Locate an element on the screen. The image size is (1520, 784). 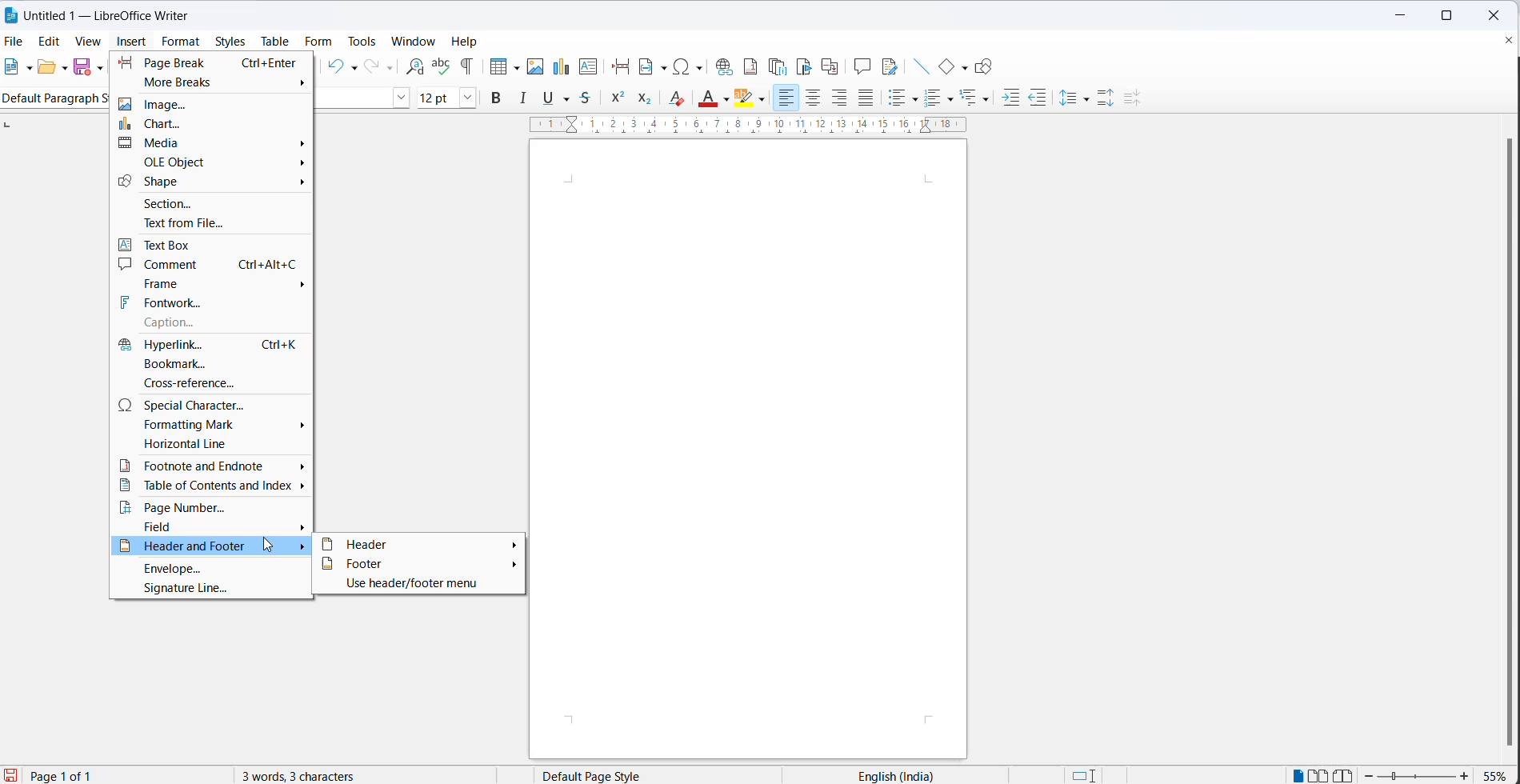
table grid is located at coordinates (514, 65).